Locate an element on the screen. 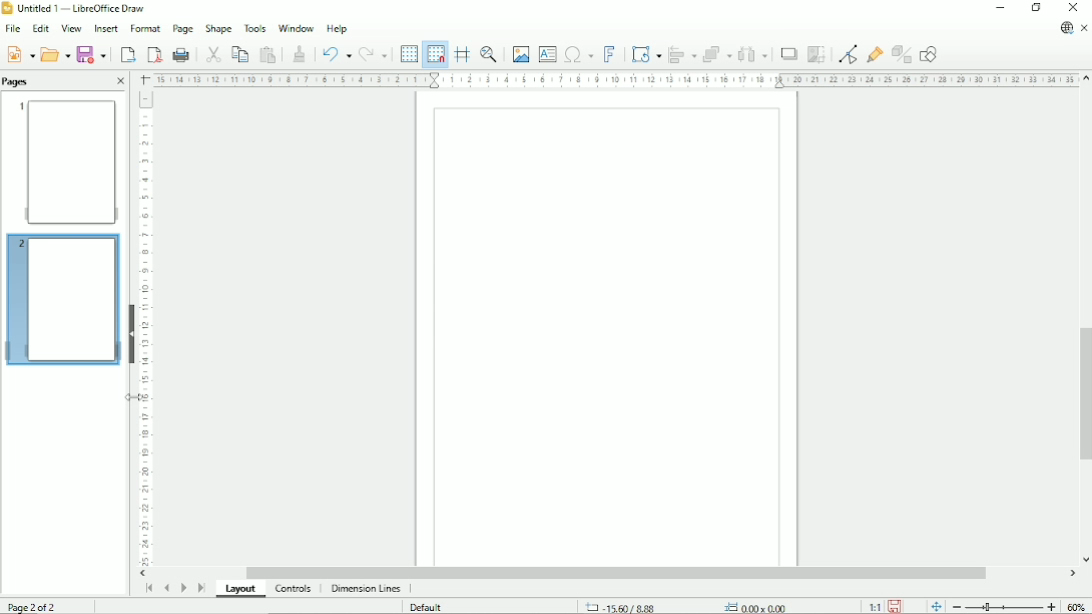  Hide is located at coordinates (132, 332).